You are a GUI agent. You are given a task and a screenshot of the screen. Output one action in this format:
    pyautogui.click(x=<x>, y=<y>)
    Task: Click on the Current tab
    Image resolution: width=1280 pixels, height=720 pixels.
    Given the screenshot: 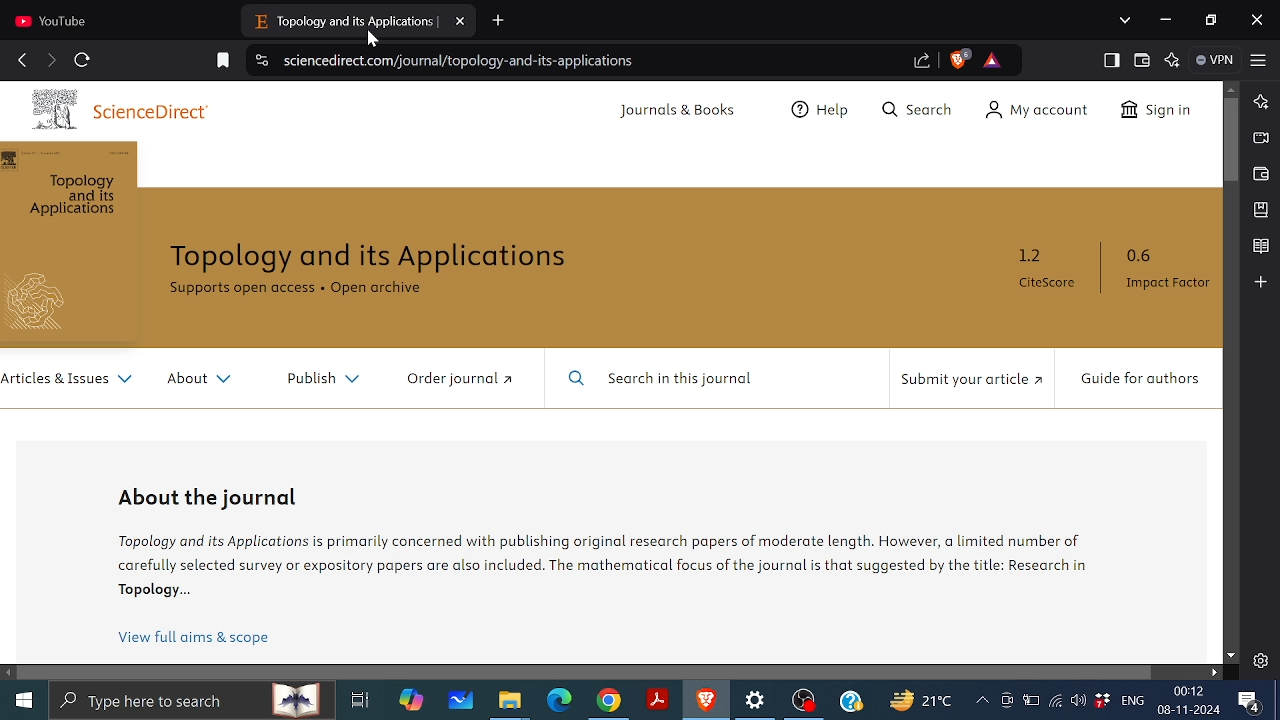 What is the action you would take?
    pyautogui.click(x=359, y=21)
    